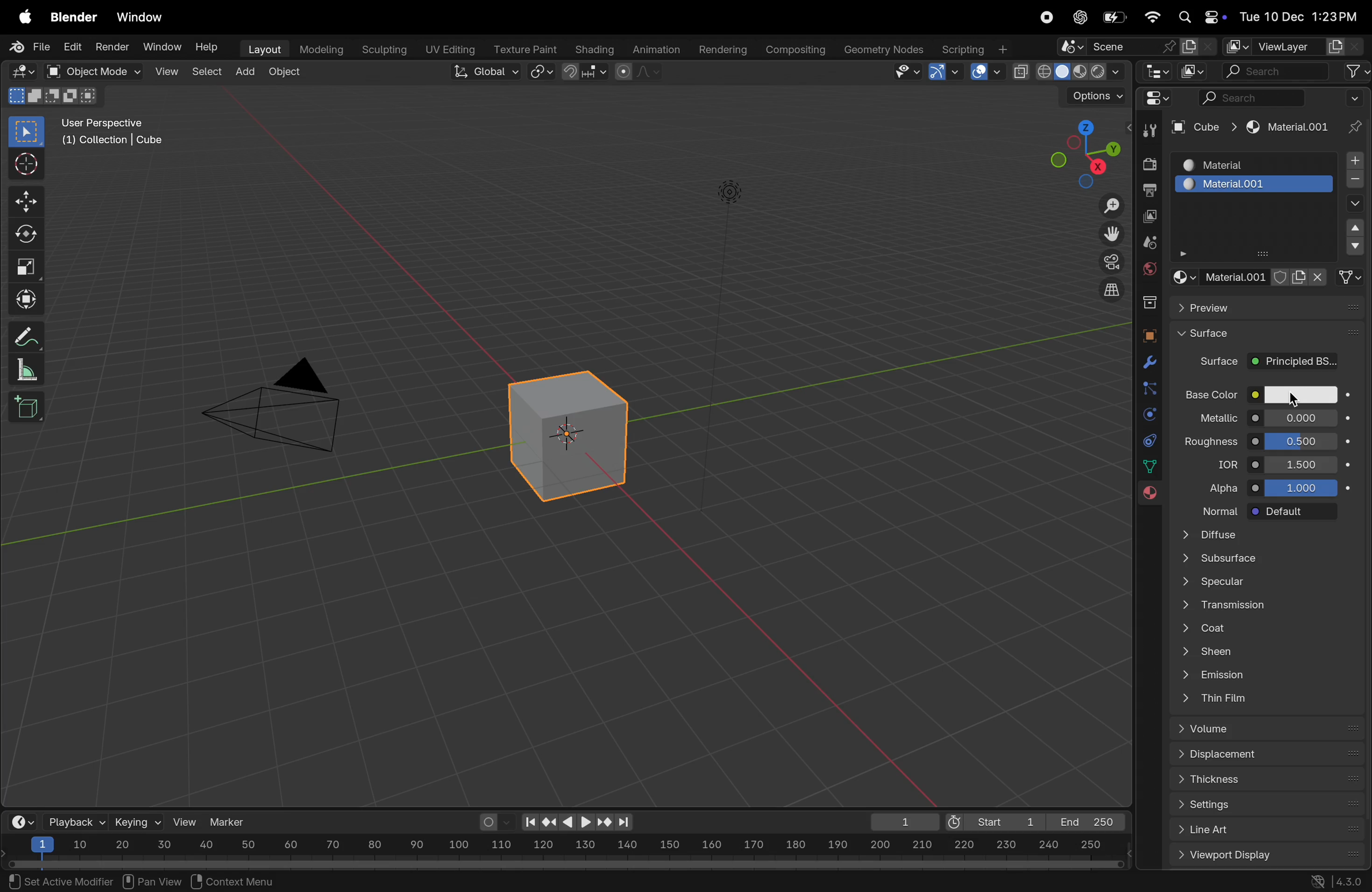 Image resolution: width=1372 pixels, height=892 pixels. I want to click on texture paint, so click(523, 46).